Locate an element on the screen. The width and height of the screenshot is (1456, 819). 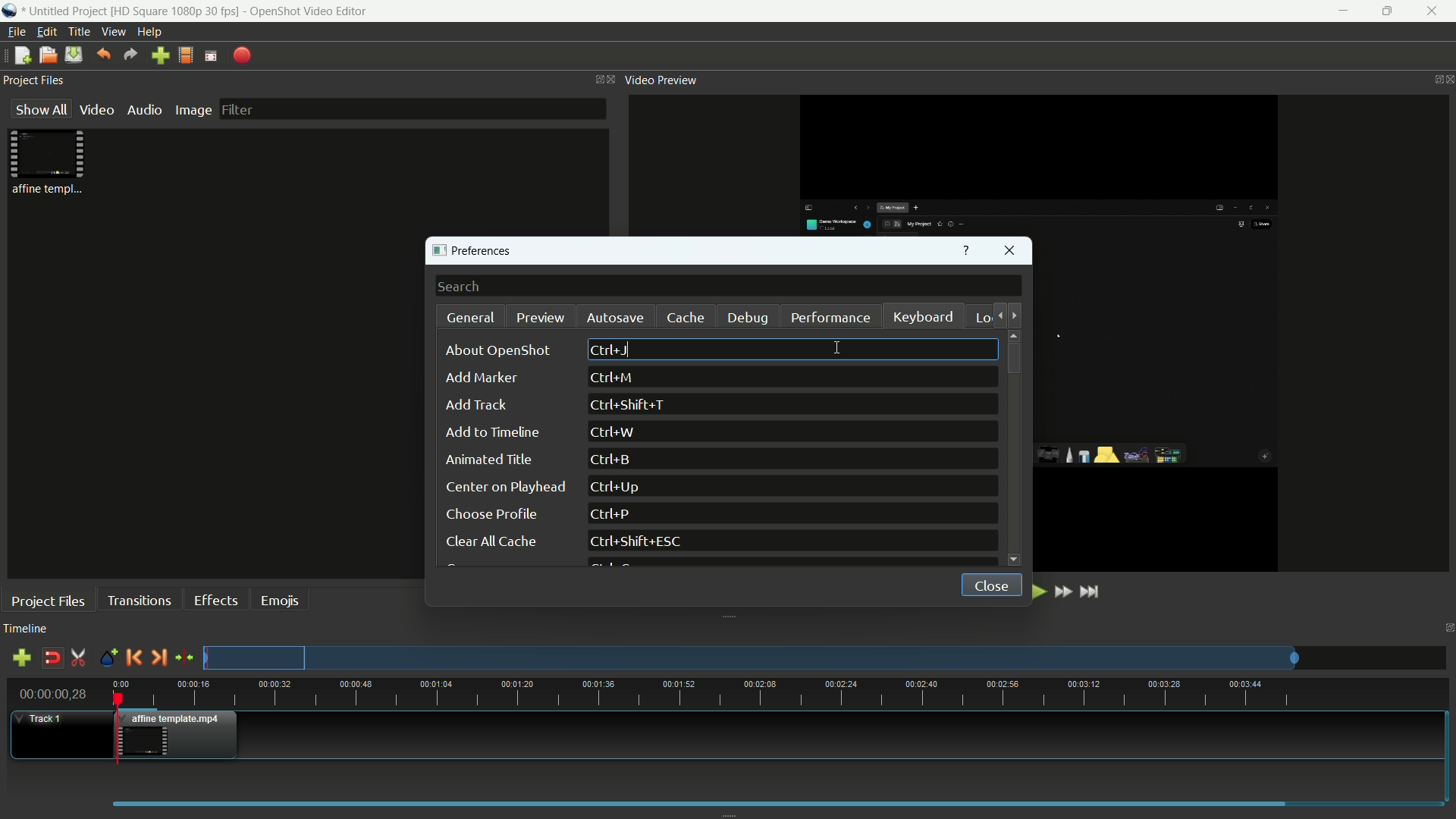
keyboard shortcut is located at coordinates (611, 350).